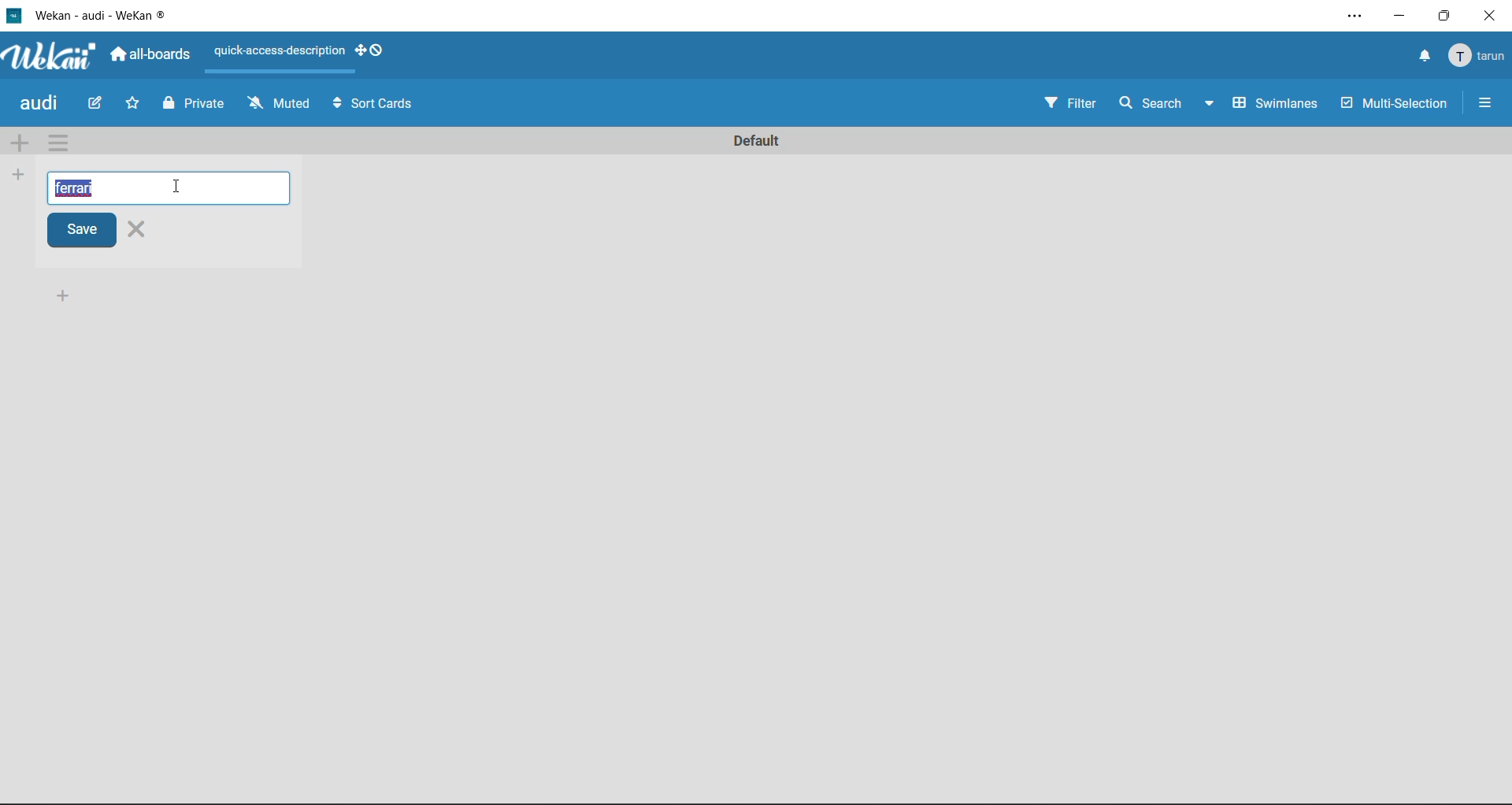  What do you see at coordinates (40, 106) in the screenshot?
I see `audi` at bounding box center [40, 106].